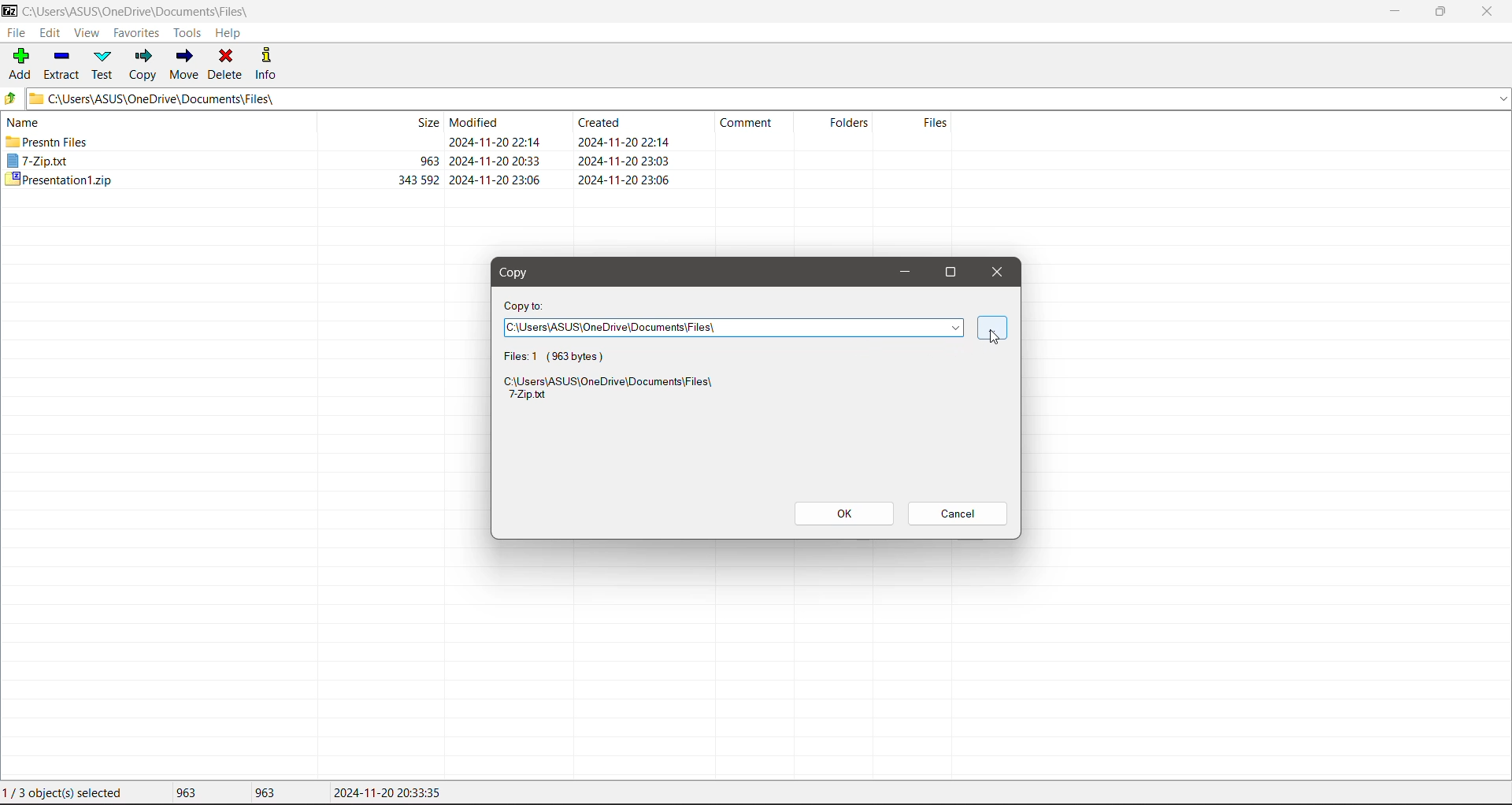 The image size is (1512, 805). I want to click on Total size of file(s) selected, so click(182, 793).